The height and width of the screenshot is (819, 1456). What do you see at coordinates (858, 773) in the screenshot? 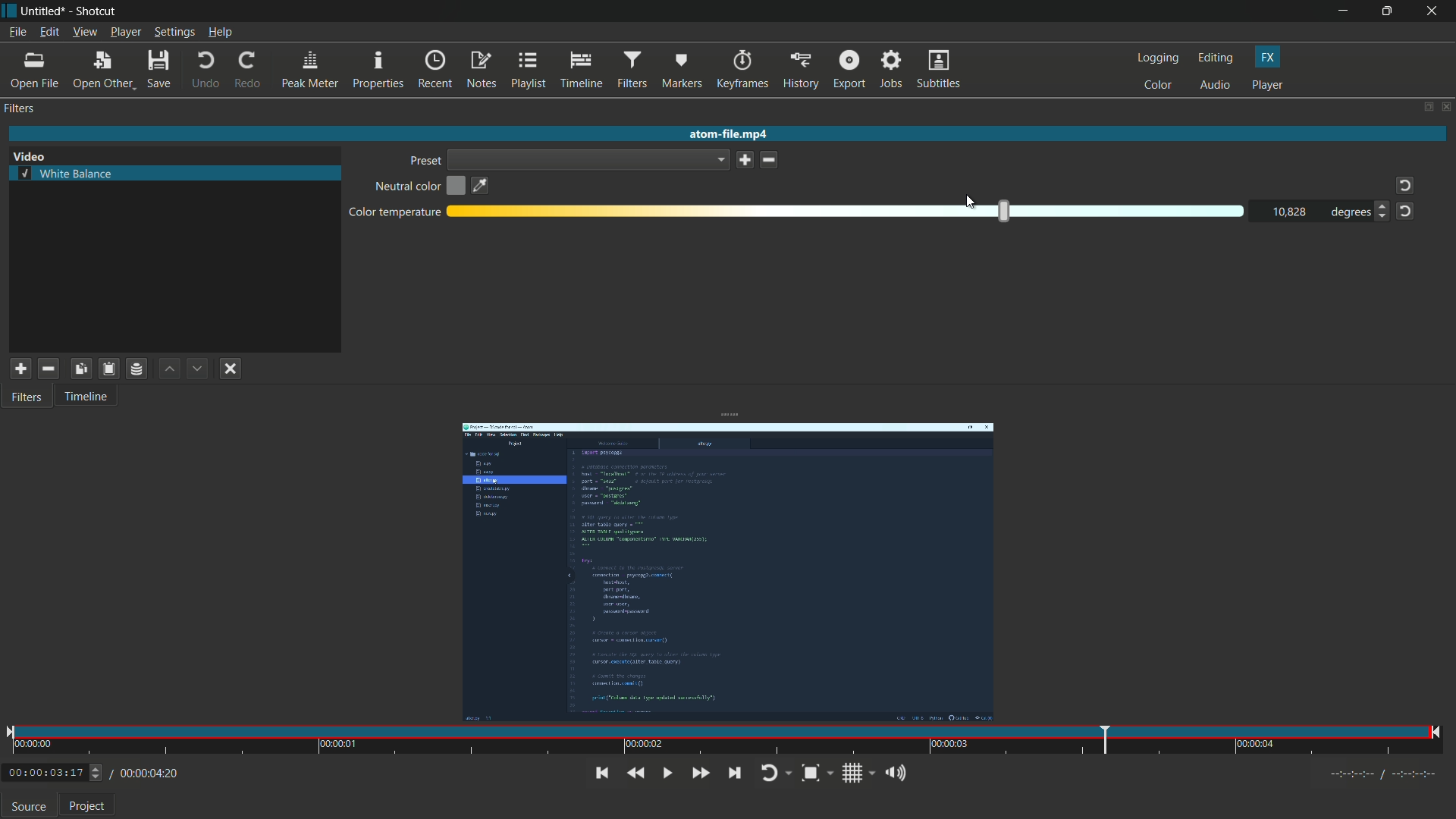
I see `toggle grid` at bounding box center [858, 773].